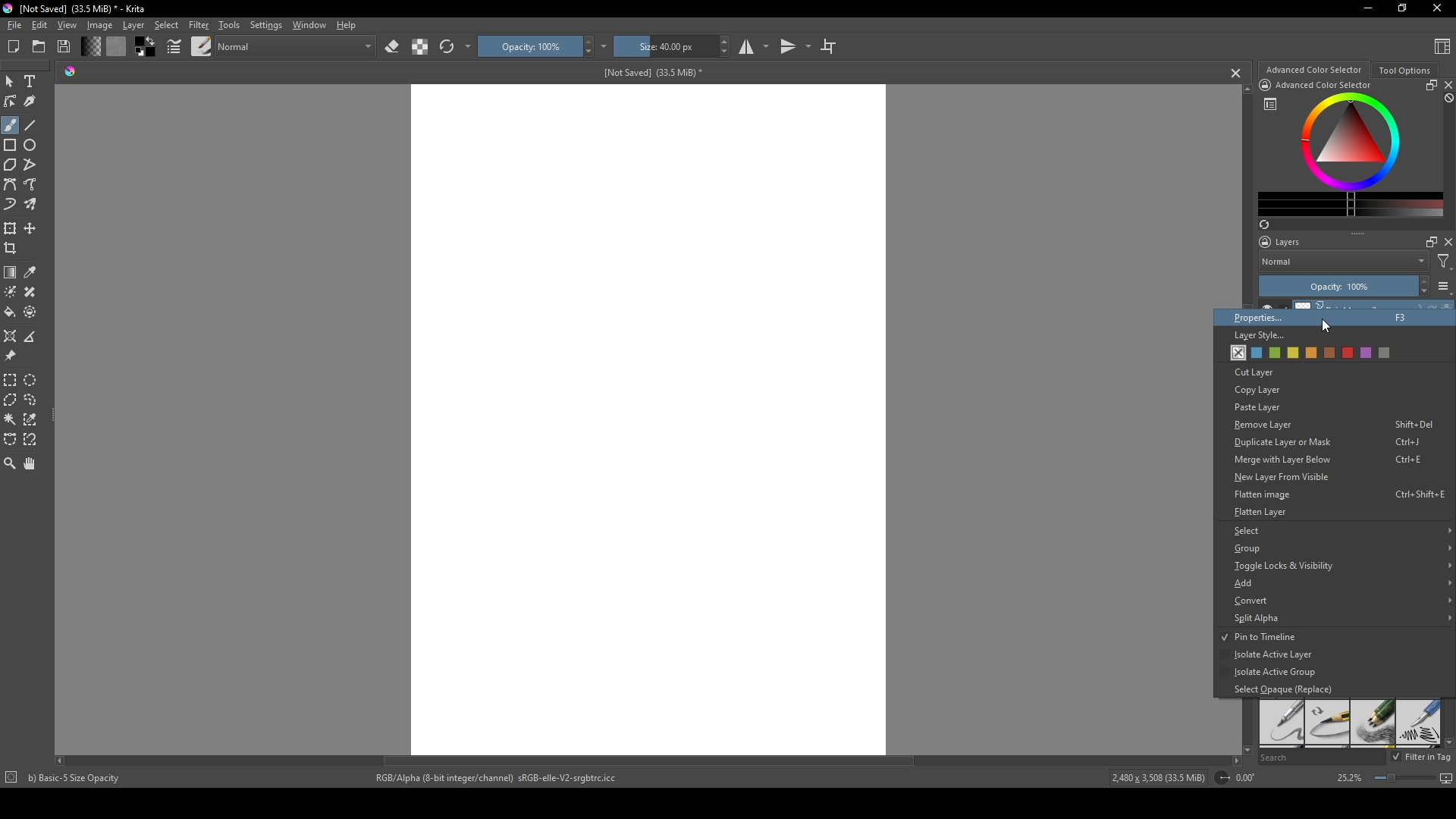 Image resolution: width=1456 pixels, height=819 pixels. Describe the element at coordinates (295, 45) in the screenshot. I see `normal` at that location.